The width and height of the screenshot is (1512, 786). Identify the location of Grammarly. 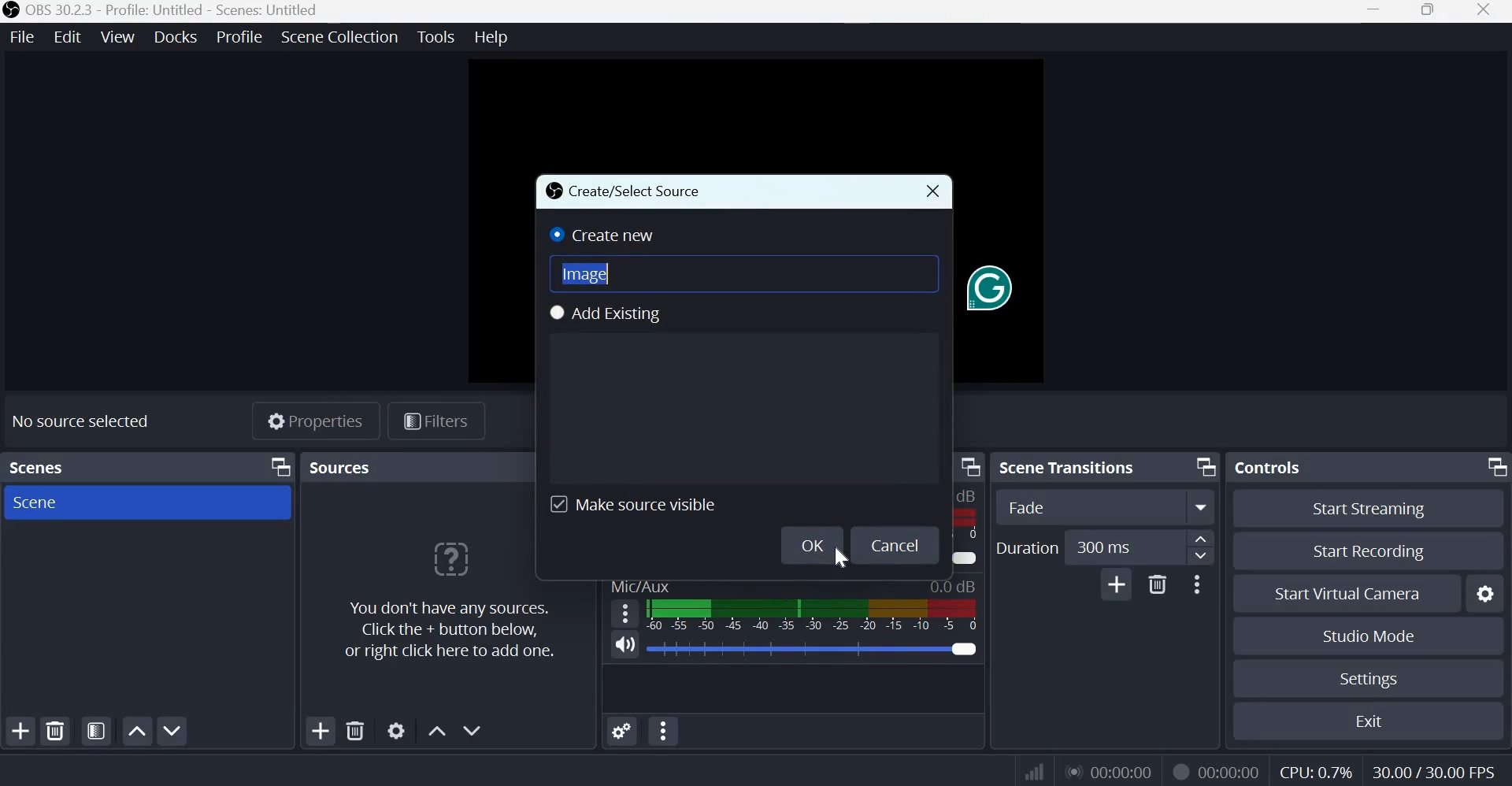
(985, 286).